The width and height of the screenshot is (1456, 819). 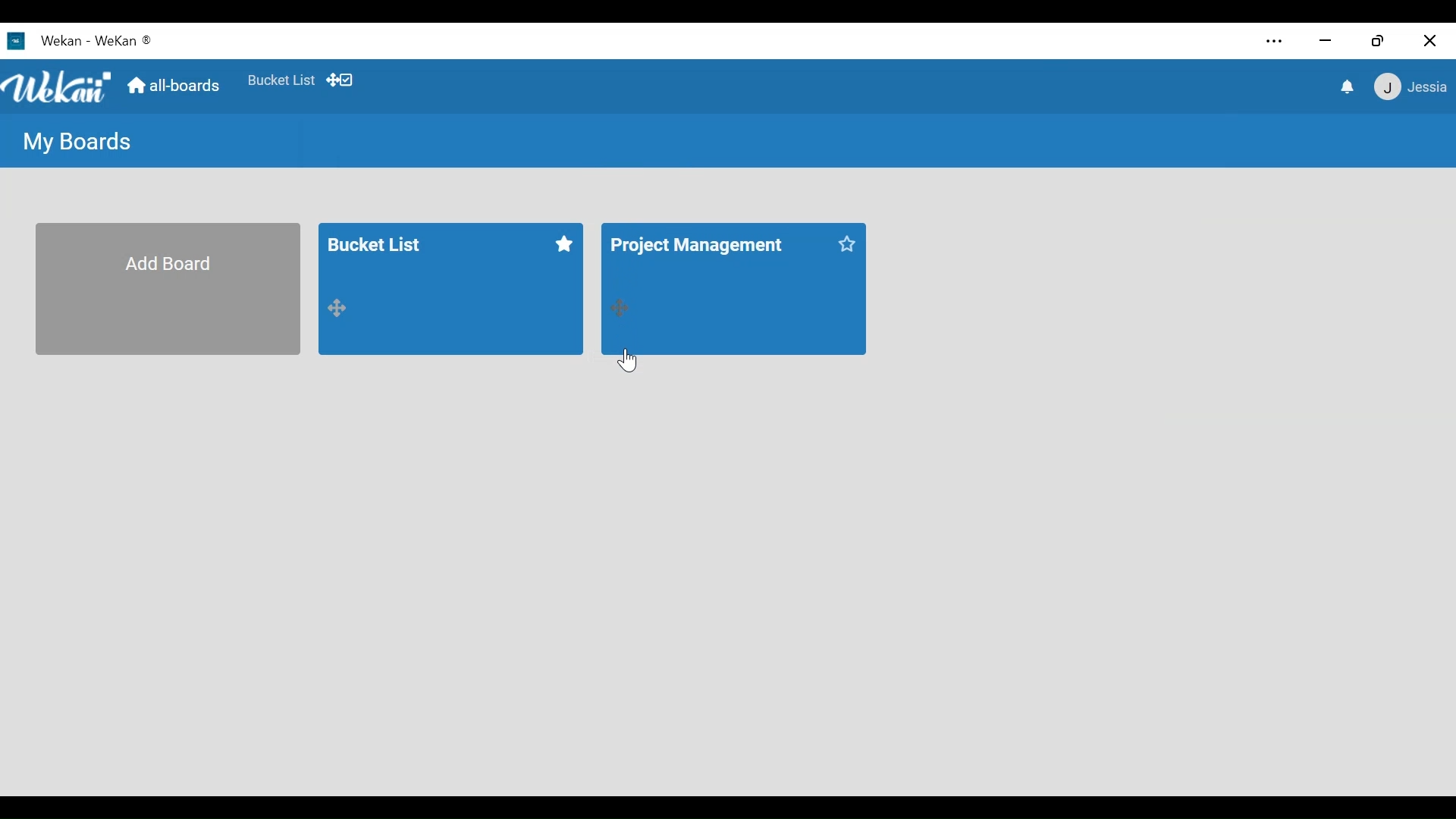 What do you see at coordinates (1378, 42) in the screenshot?
I see `restore` at bounding box center [1378, 42].